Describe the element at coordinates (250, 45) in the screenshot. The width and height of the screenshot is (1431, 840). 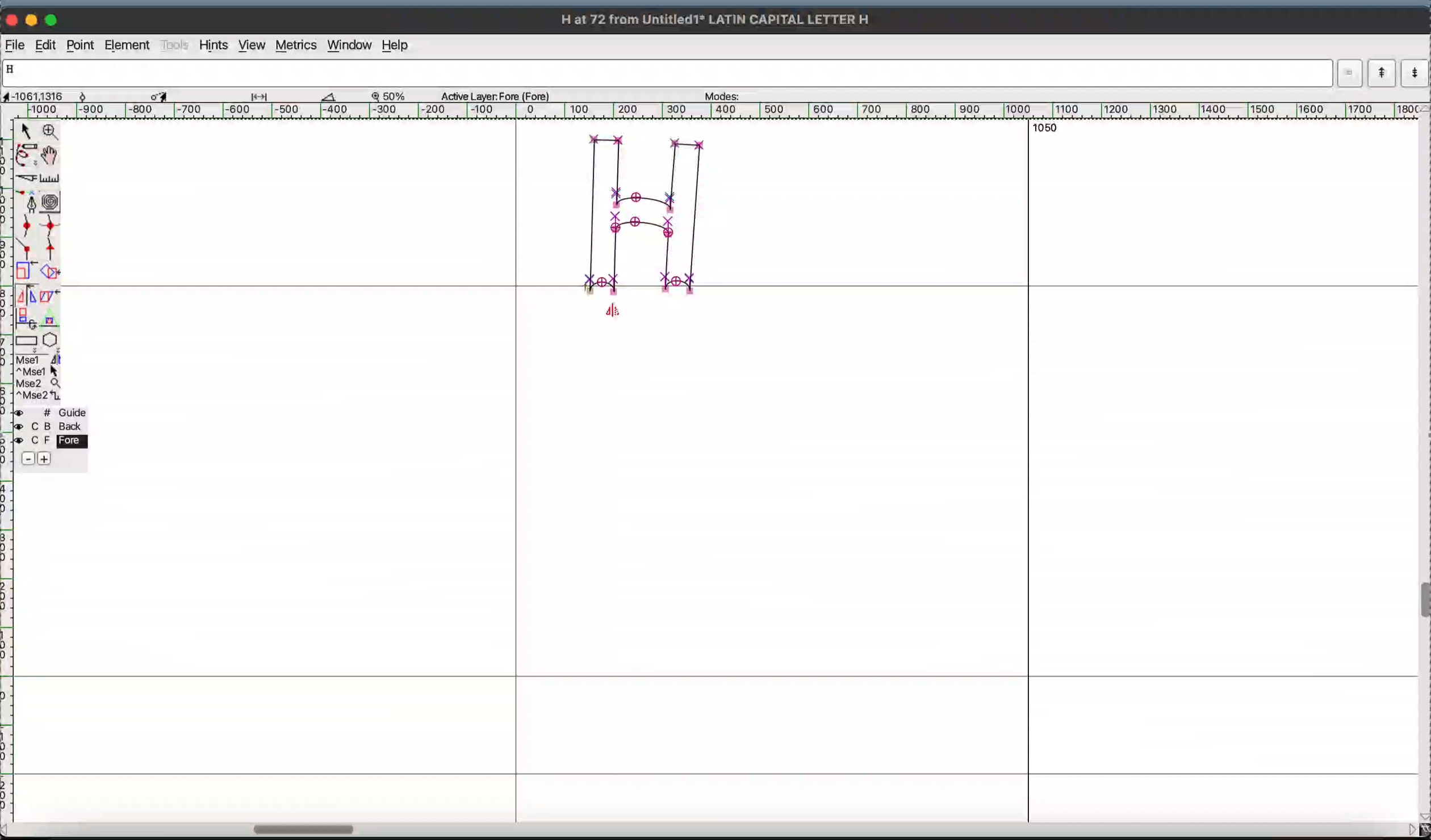
I see `view` at that location.